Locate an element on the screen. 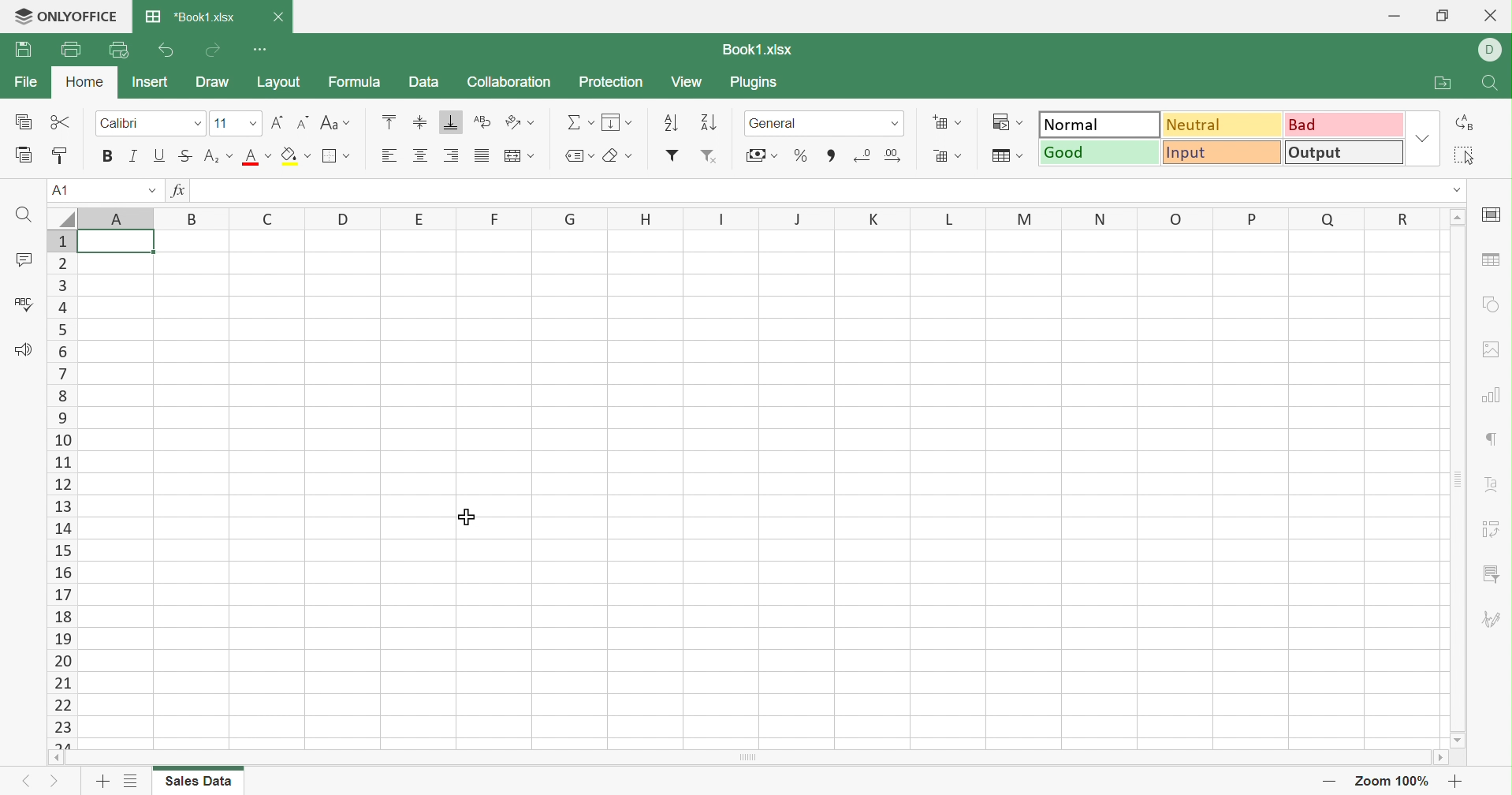 This screenshot has height=795, width=1512. Quick Print is located at coordinates (118, 52).